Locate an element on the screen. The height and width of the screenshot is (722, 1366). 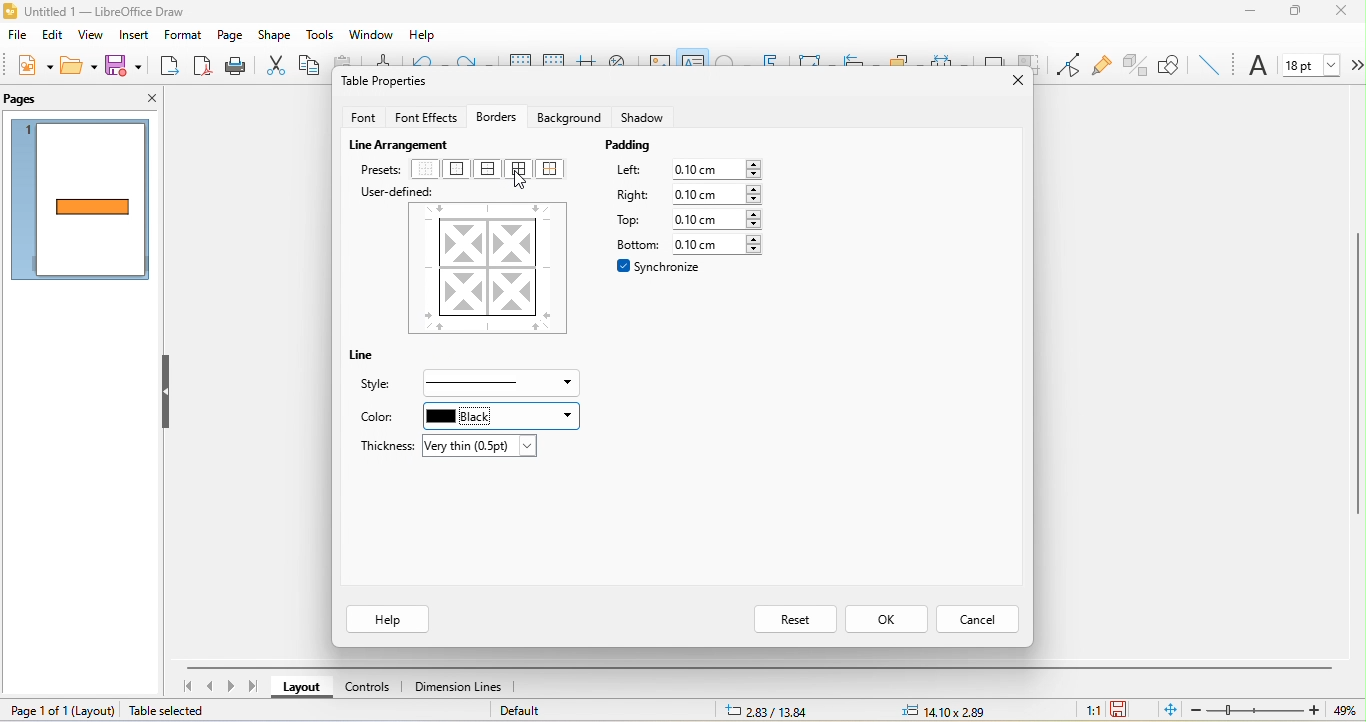
window is located at coordinates (368, 33).